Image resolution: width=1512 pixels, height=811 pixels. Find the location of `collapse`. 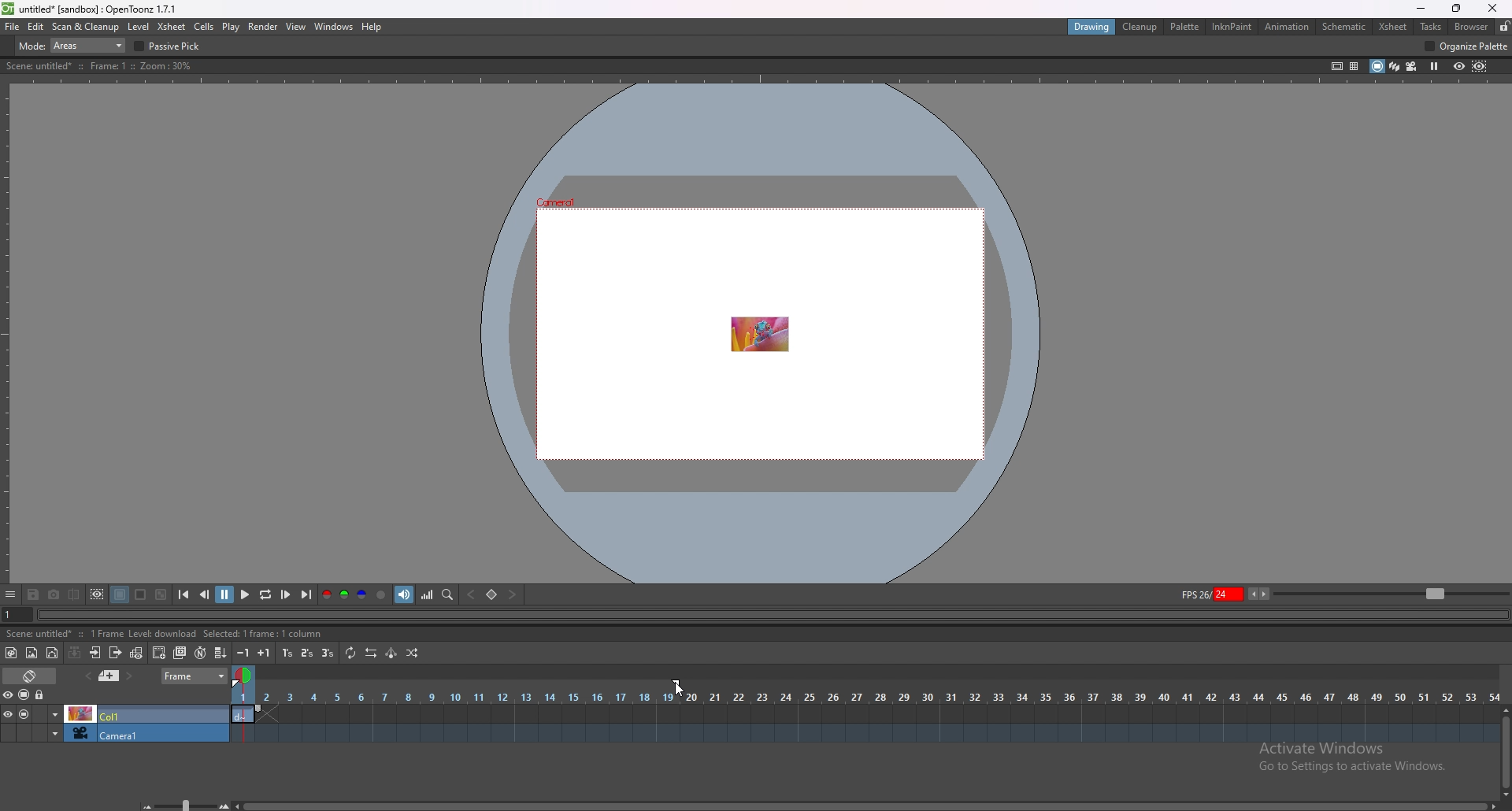

collapse is located at coordinates (75, 653).